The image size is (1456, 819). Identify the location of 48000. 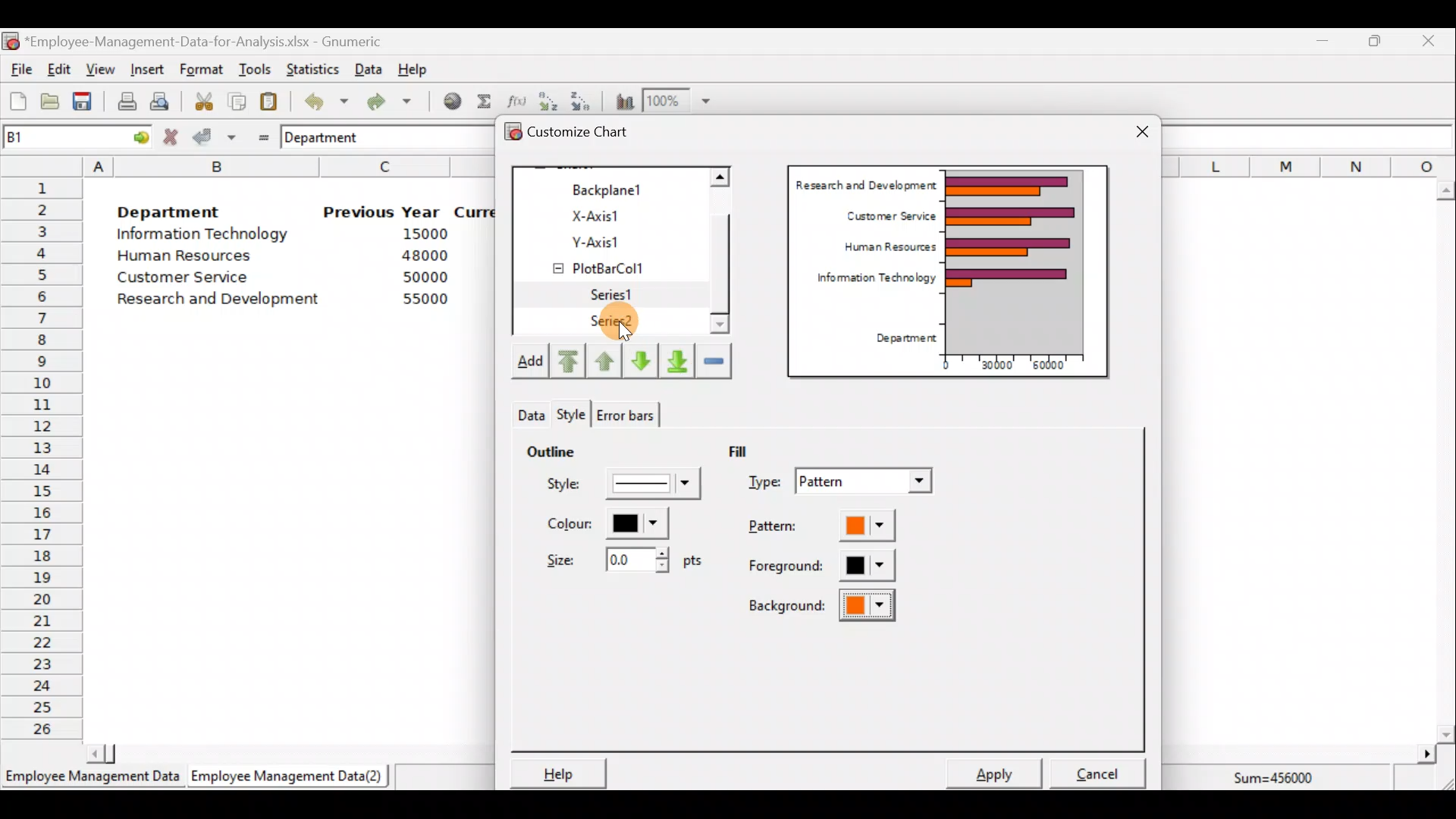
(424, 256).